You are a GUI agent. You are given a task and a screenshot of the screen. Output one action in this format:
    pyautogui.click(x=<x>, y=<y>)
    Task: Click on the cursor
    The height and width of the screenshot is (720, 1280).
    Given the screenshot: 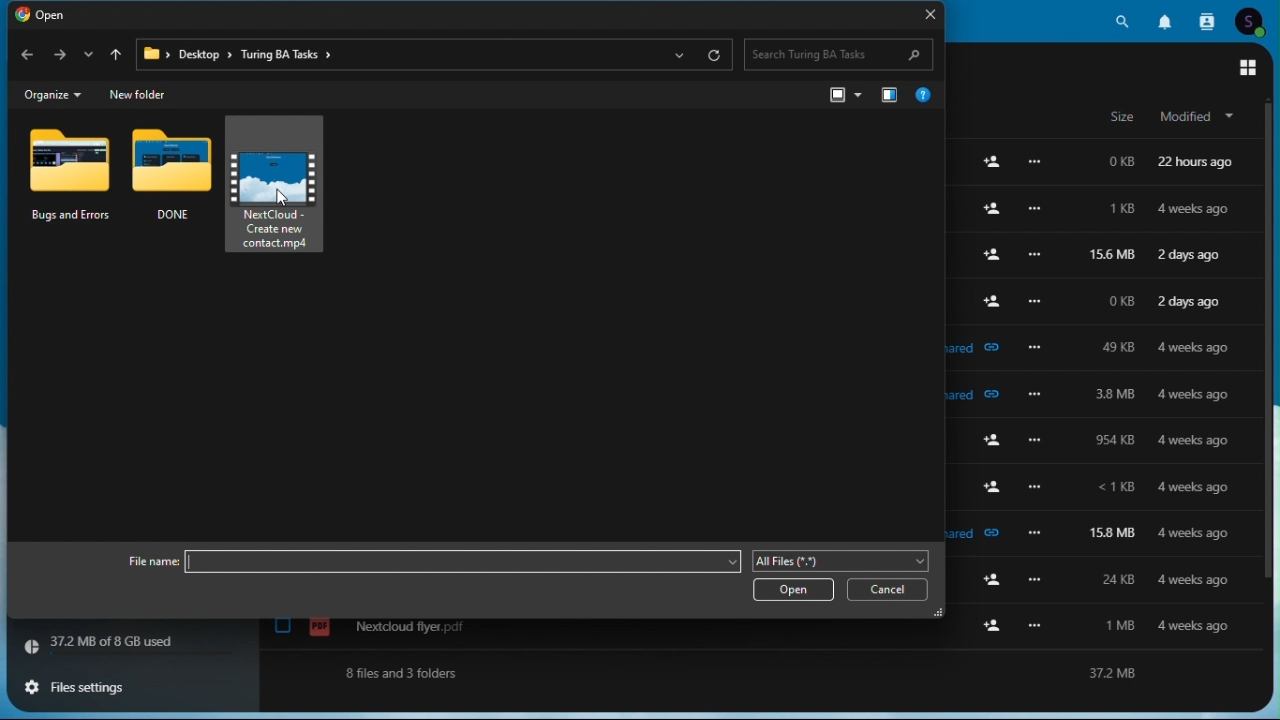 What is the action you would take?
    pyautogui.click(x=284, y=197)
    